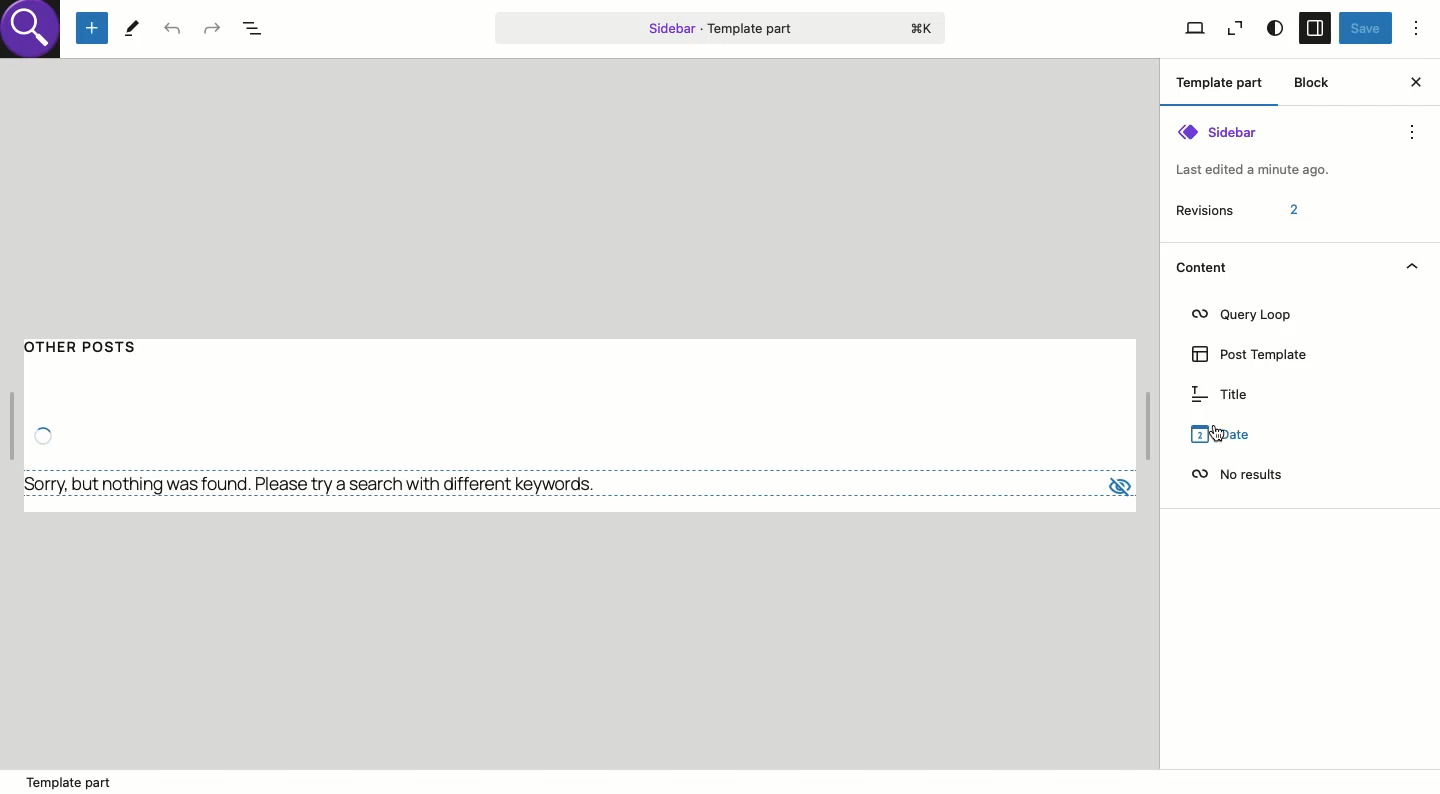  What do you see at coordinates (1217, 434) in the screenshot?
I see `Date` at bounding box center [1217, 434].